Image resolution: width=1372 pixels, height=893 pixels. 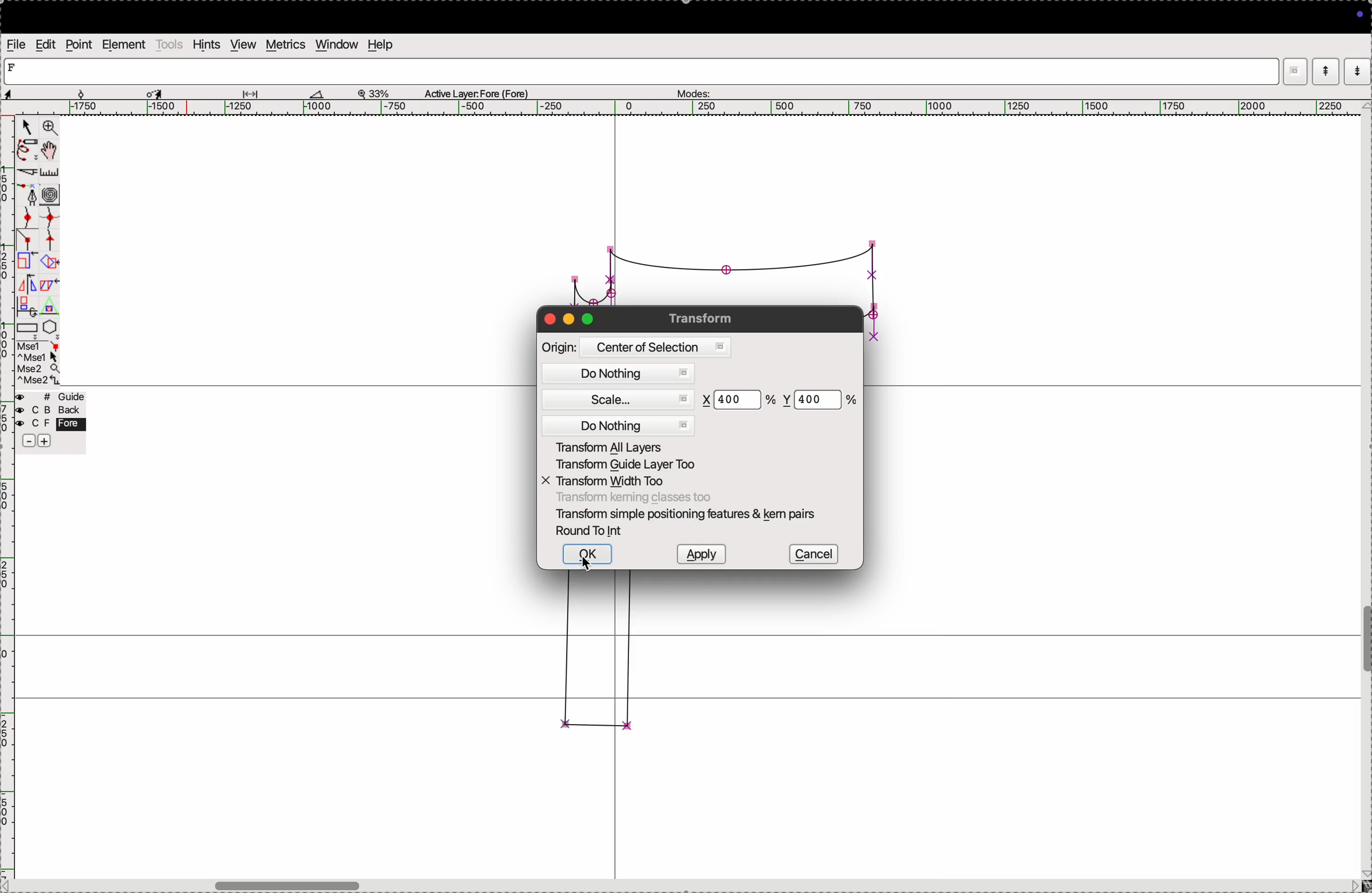 What do you see at coordinates (322, 93) in the screenshot?
I see `boat` at bounding box center [322, 93].